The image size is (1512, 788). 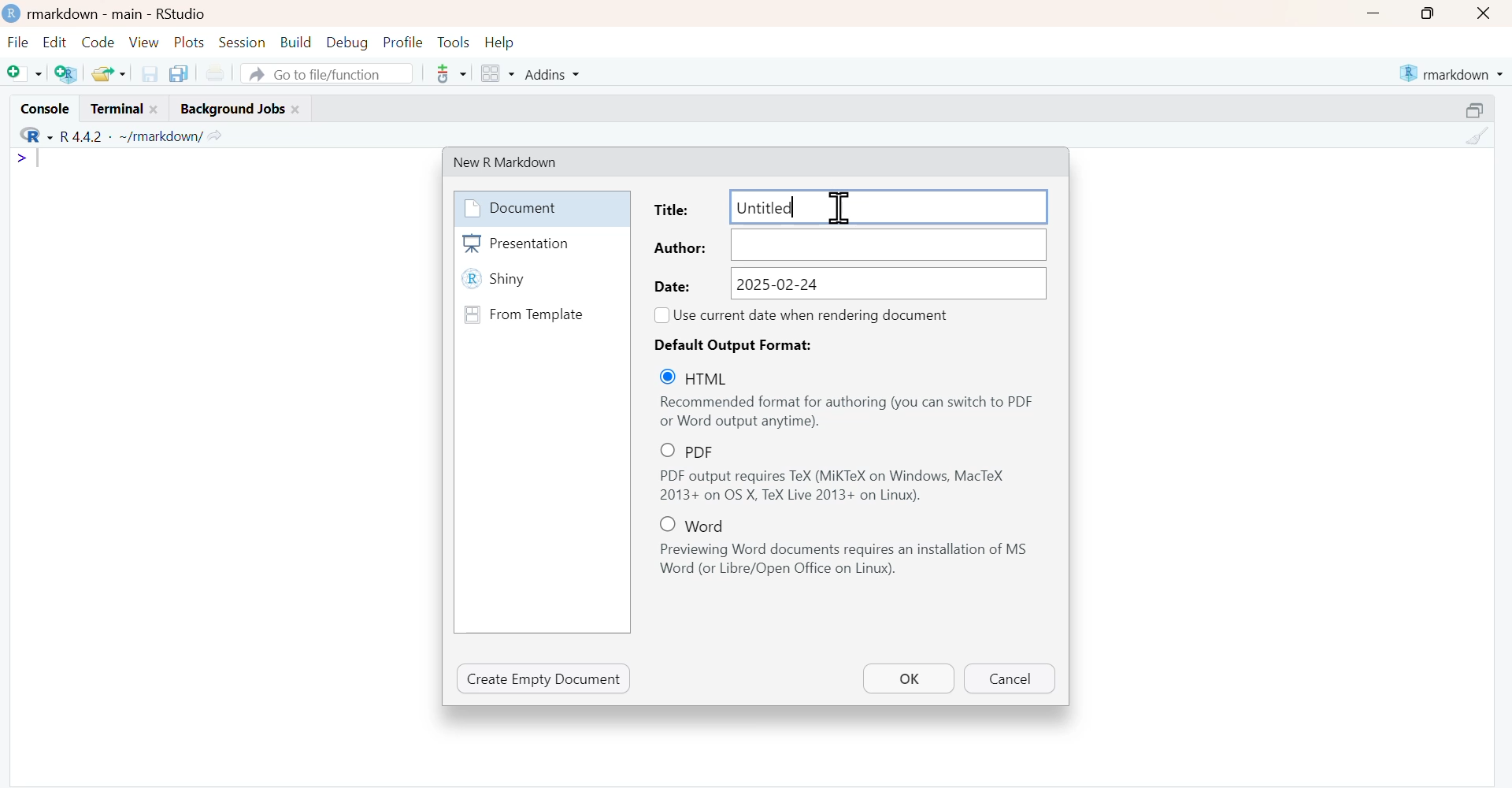 What do you see at coordinates (1373, 13) in the screenshot?
I see `minimize` at bounding box center [1373, 13].